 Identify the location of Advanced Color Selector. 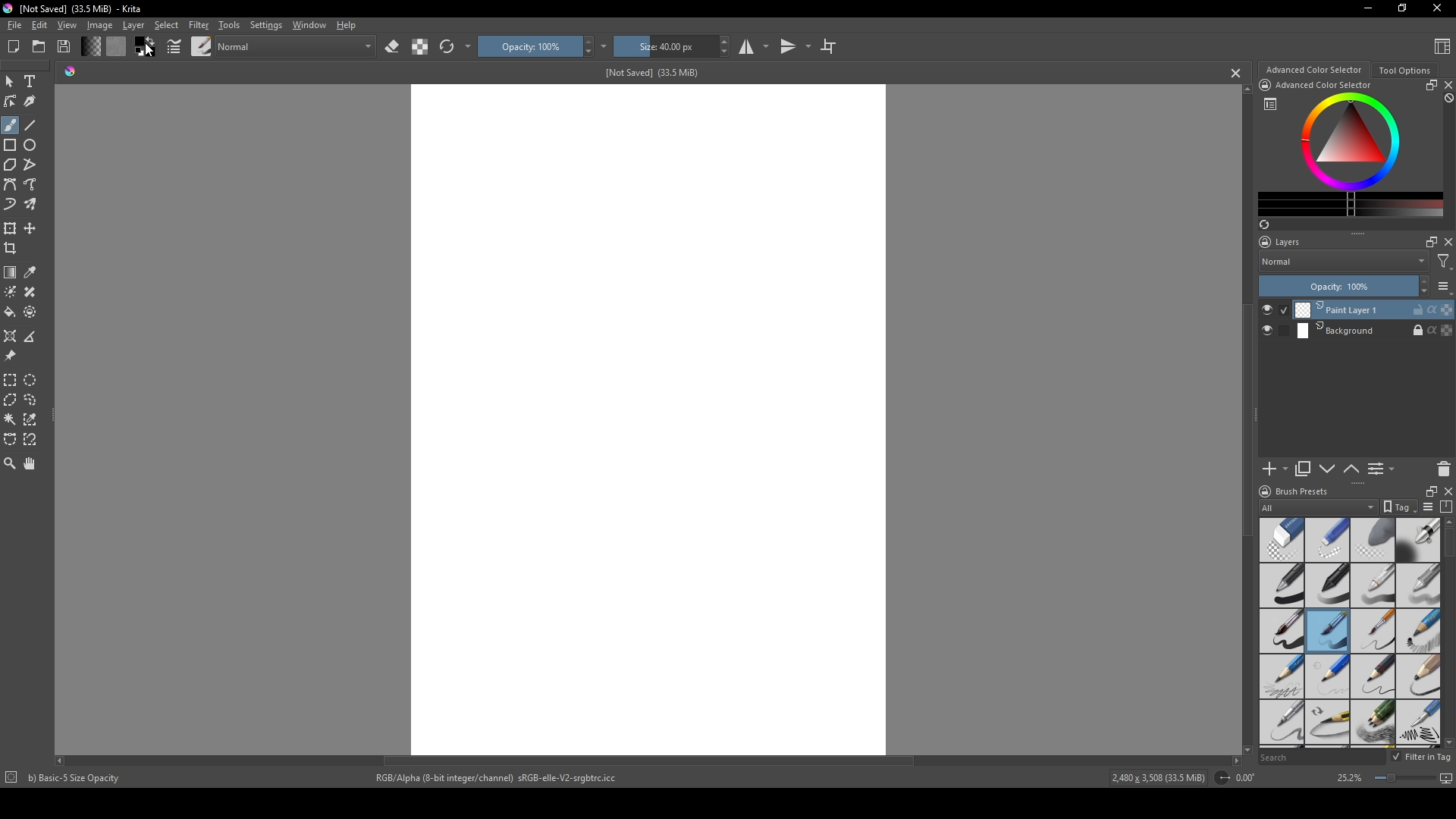
(1324, 86).